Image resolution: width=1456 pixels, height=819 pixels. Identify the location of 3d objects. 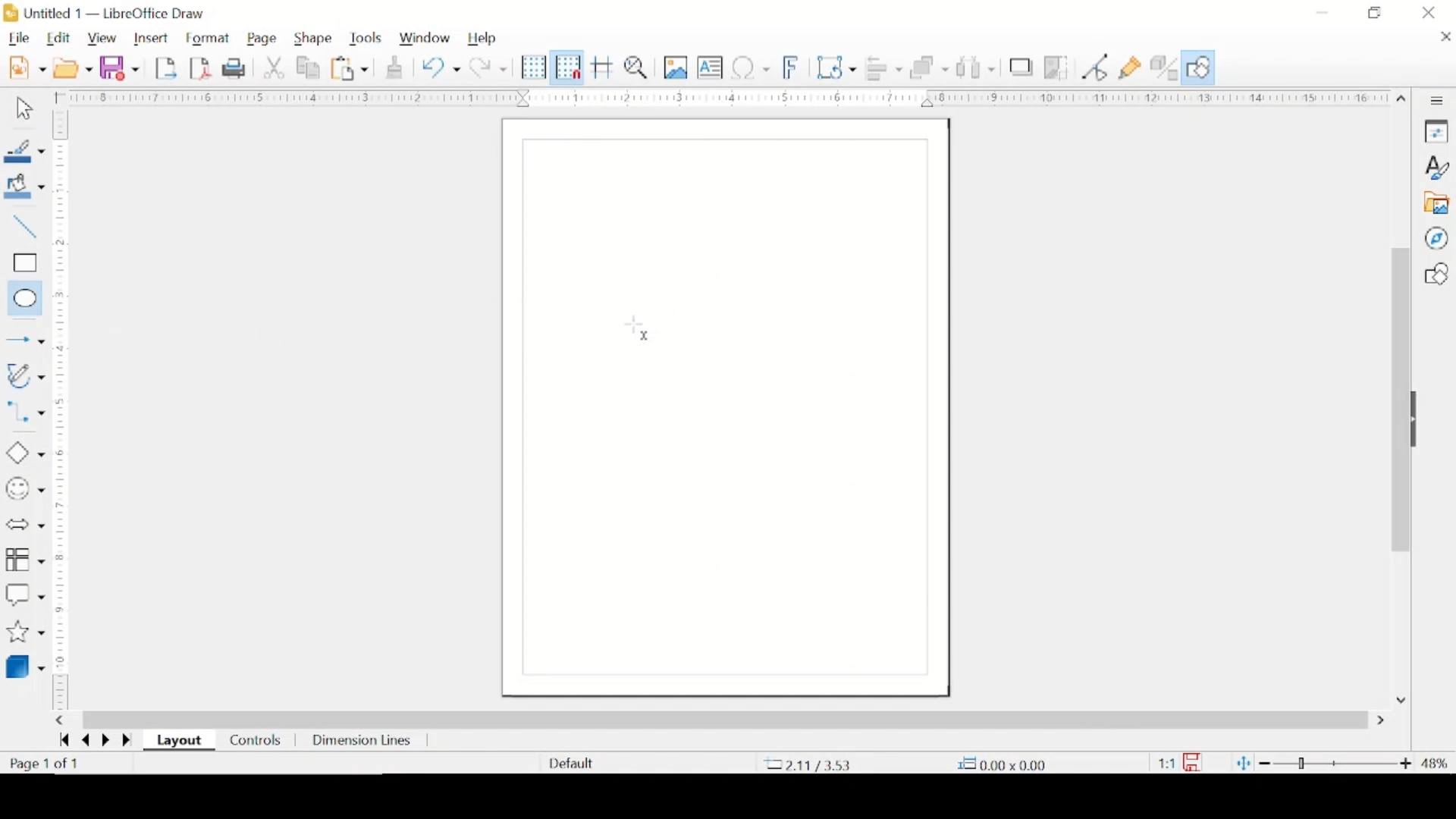
(28, 666).